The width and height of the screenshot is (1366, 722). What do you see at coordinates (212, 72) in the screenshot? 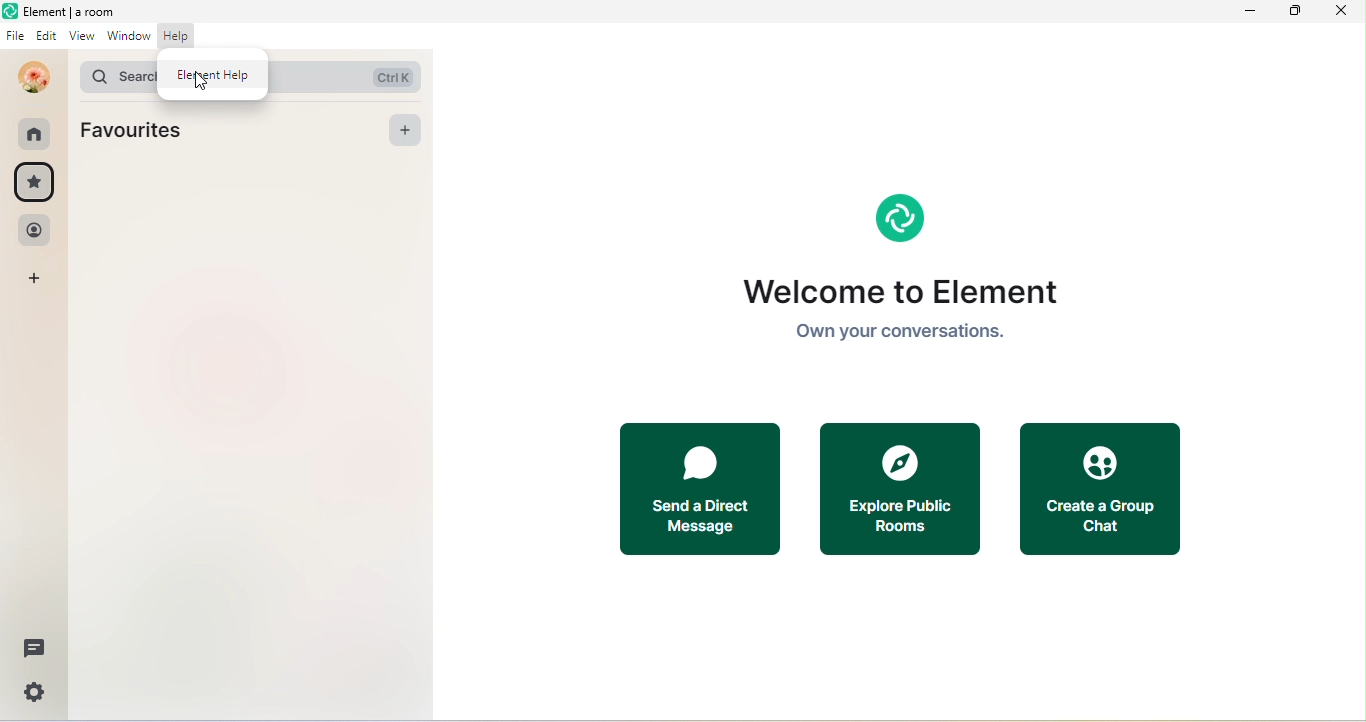
I see `element help` at bounding box center [212, 72].